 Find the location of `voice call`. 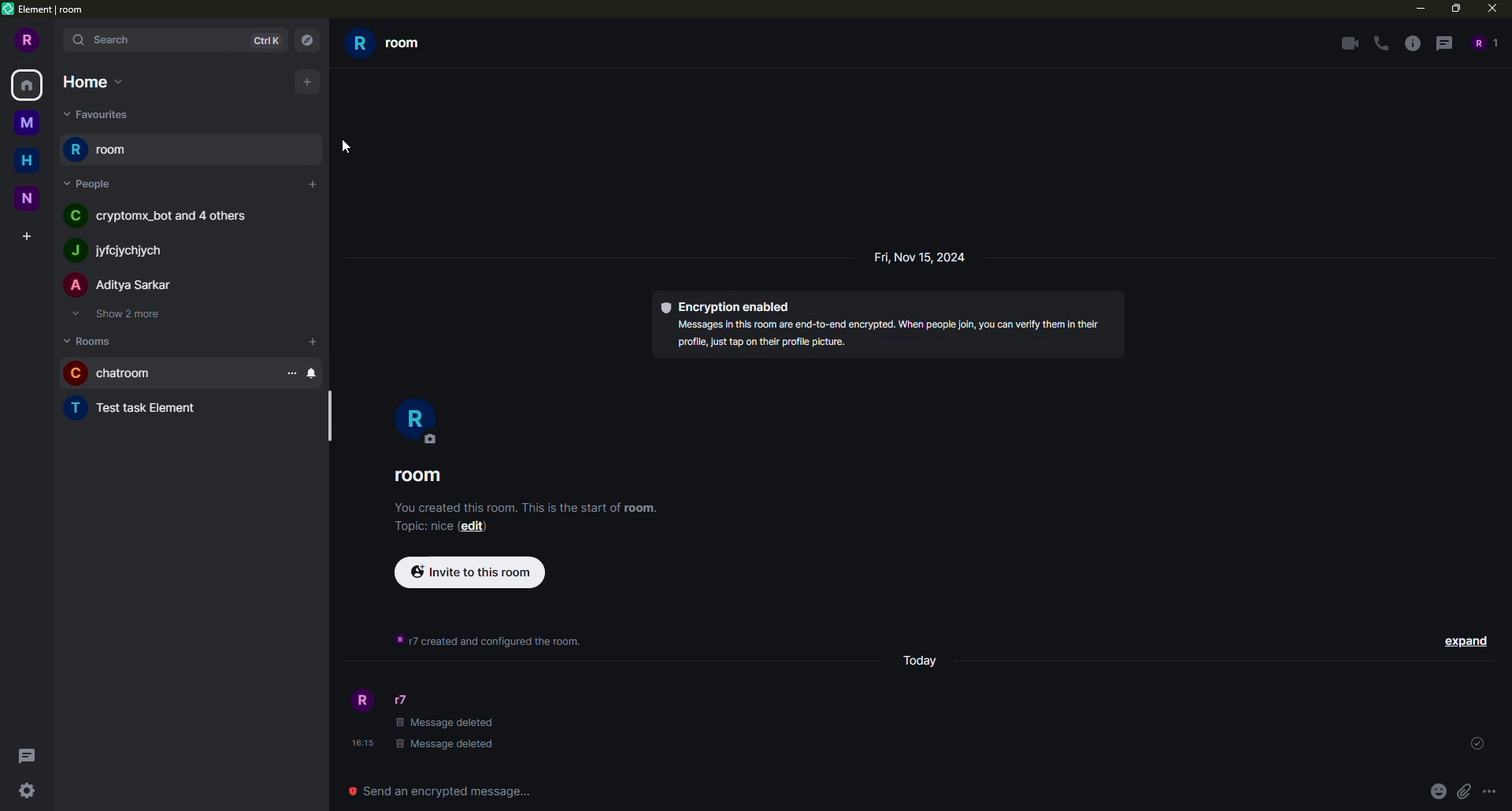

voice call is located at coordinates (1378, 43).